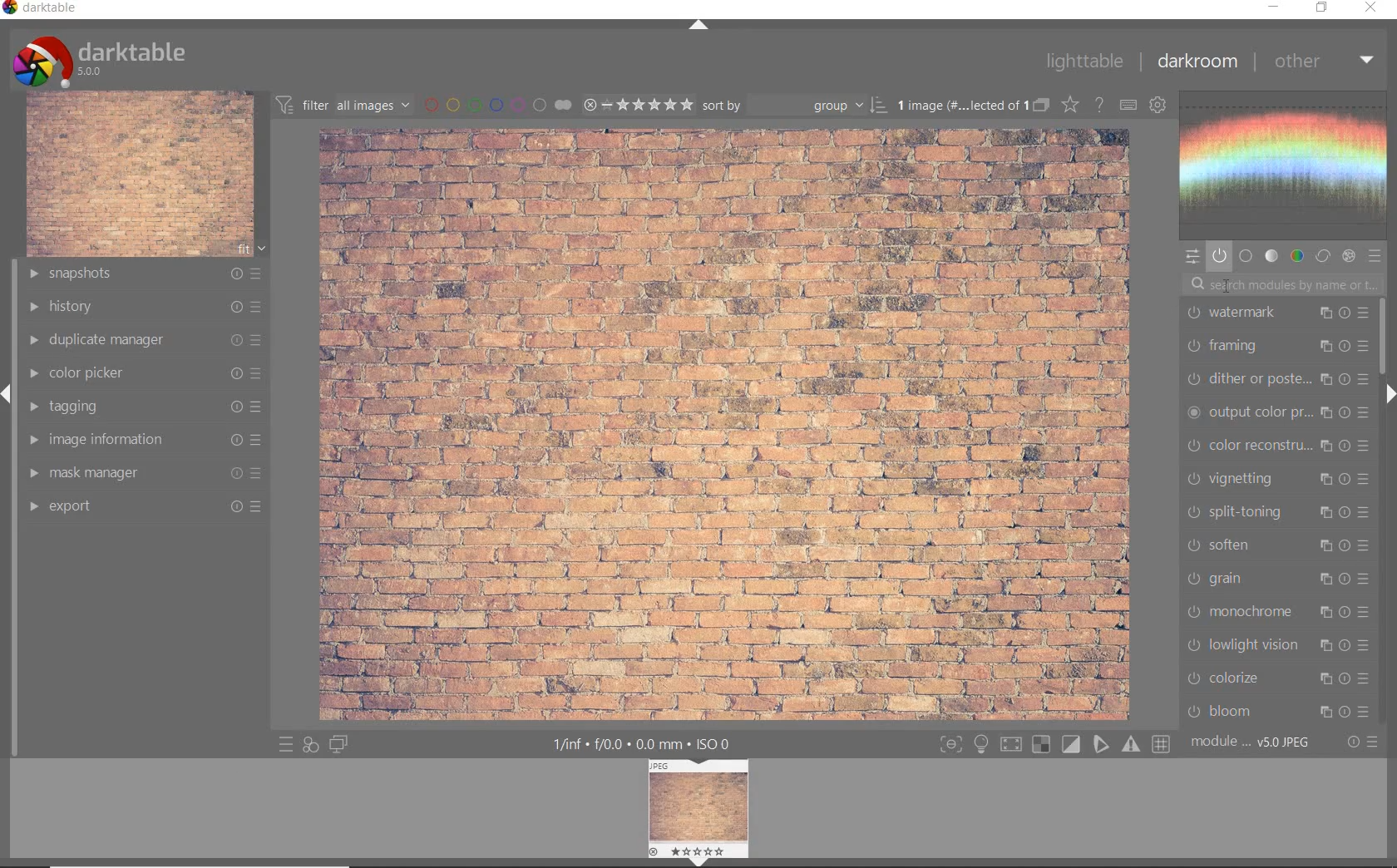 The image size is (1397, 868). I want to click on watermark, so click(1276, 313).